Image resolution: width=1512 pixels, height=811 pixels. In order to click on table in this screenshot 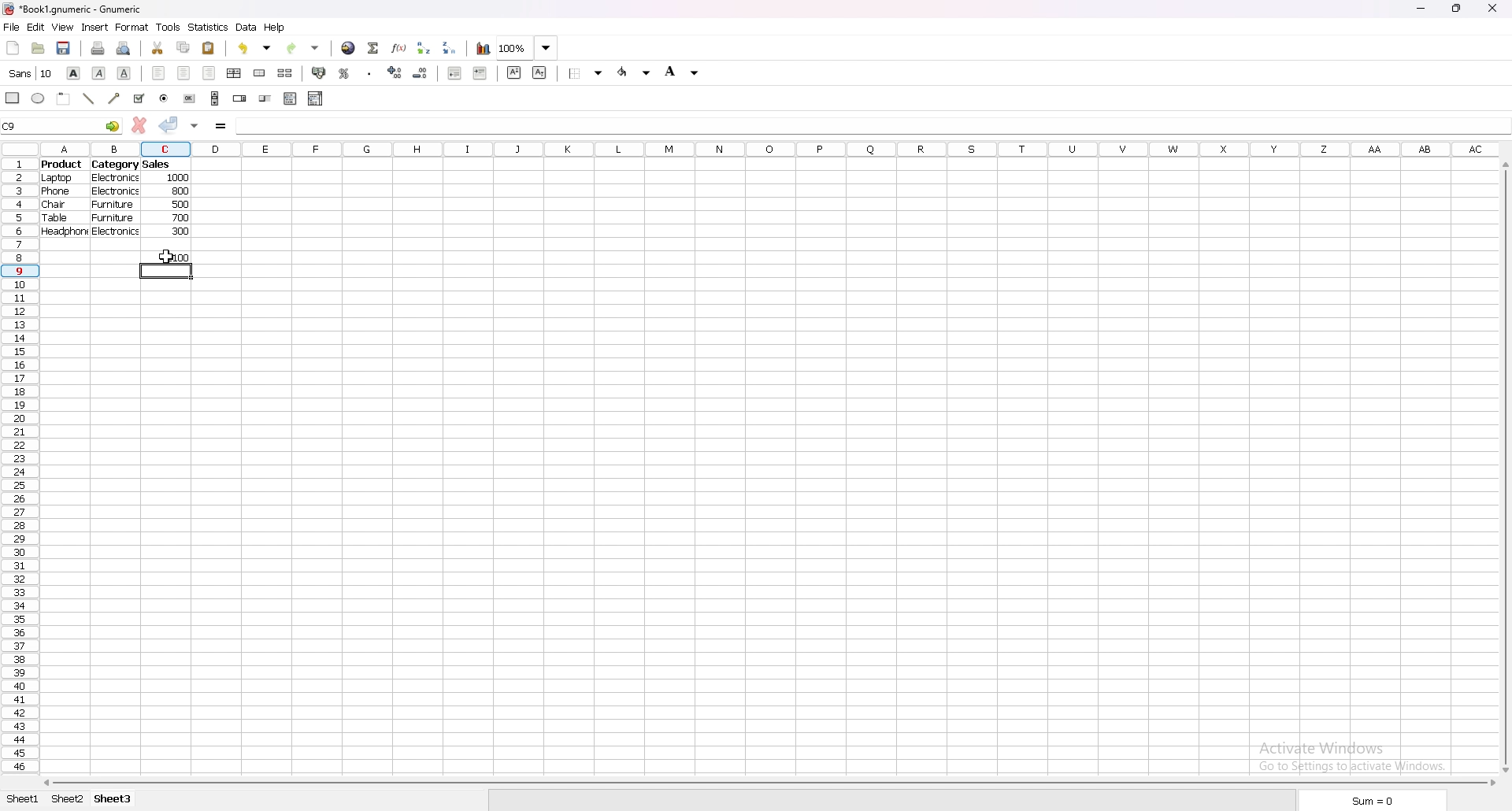, I will do `click(56, 217)`.